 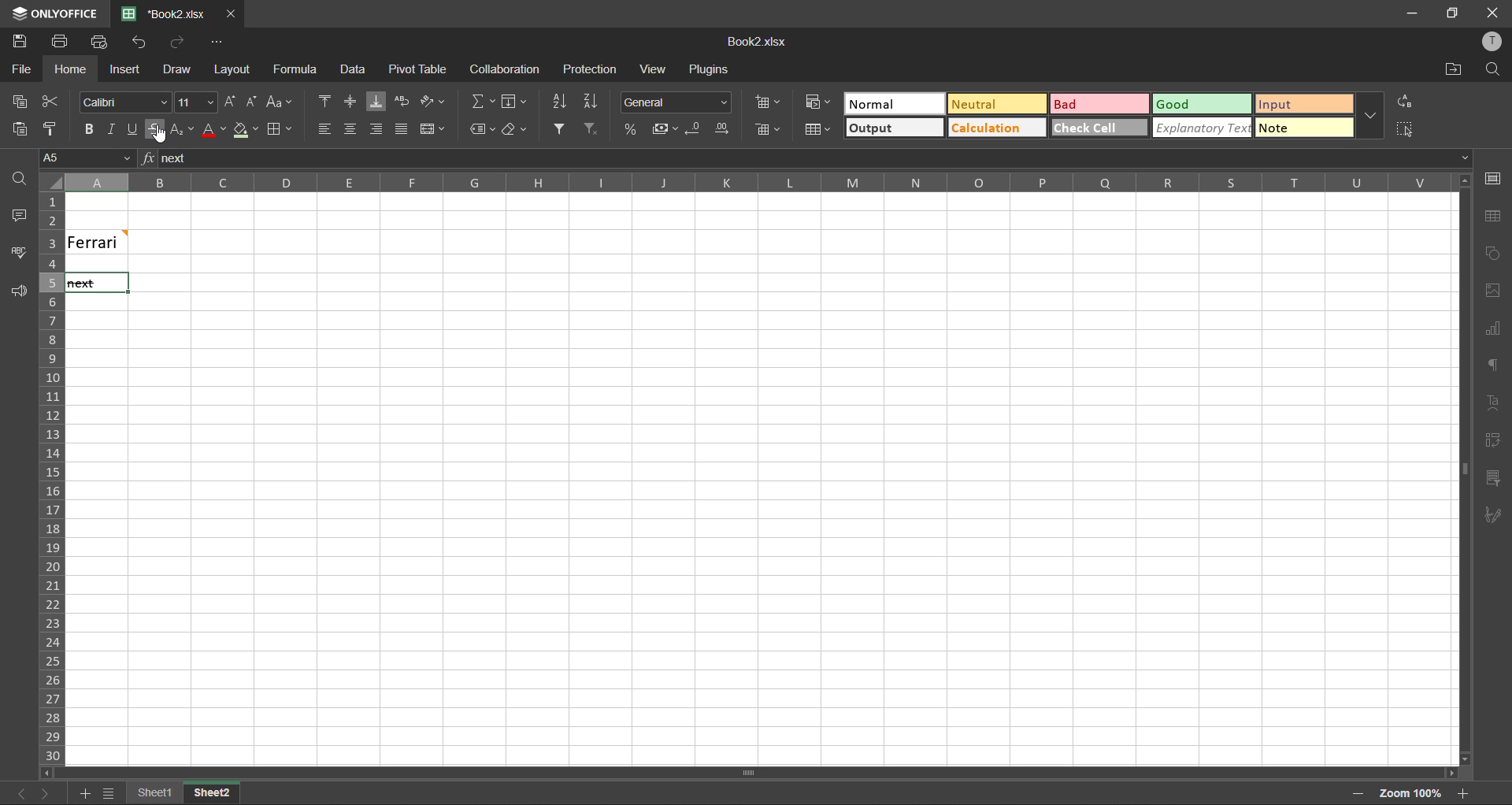 I want to click on sub/superscript, so click(x=181, y=129).